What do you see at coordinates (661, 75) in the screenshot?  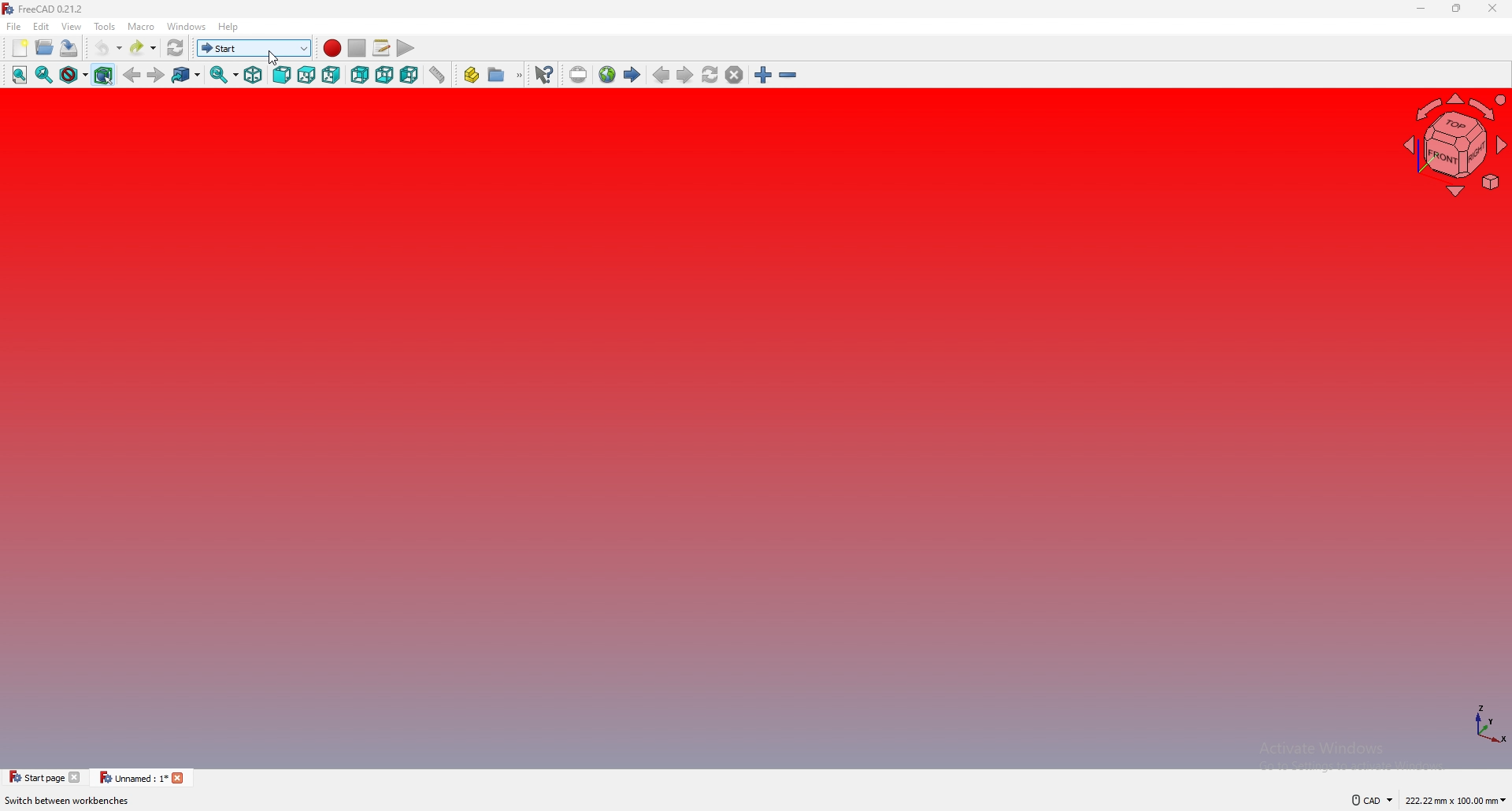 I see `previous page` at bounding box center [661, 75].